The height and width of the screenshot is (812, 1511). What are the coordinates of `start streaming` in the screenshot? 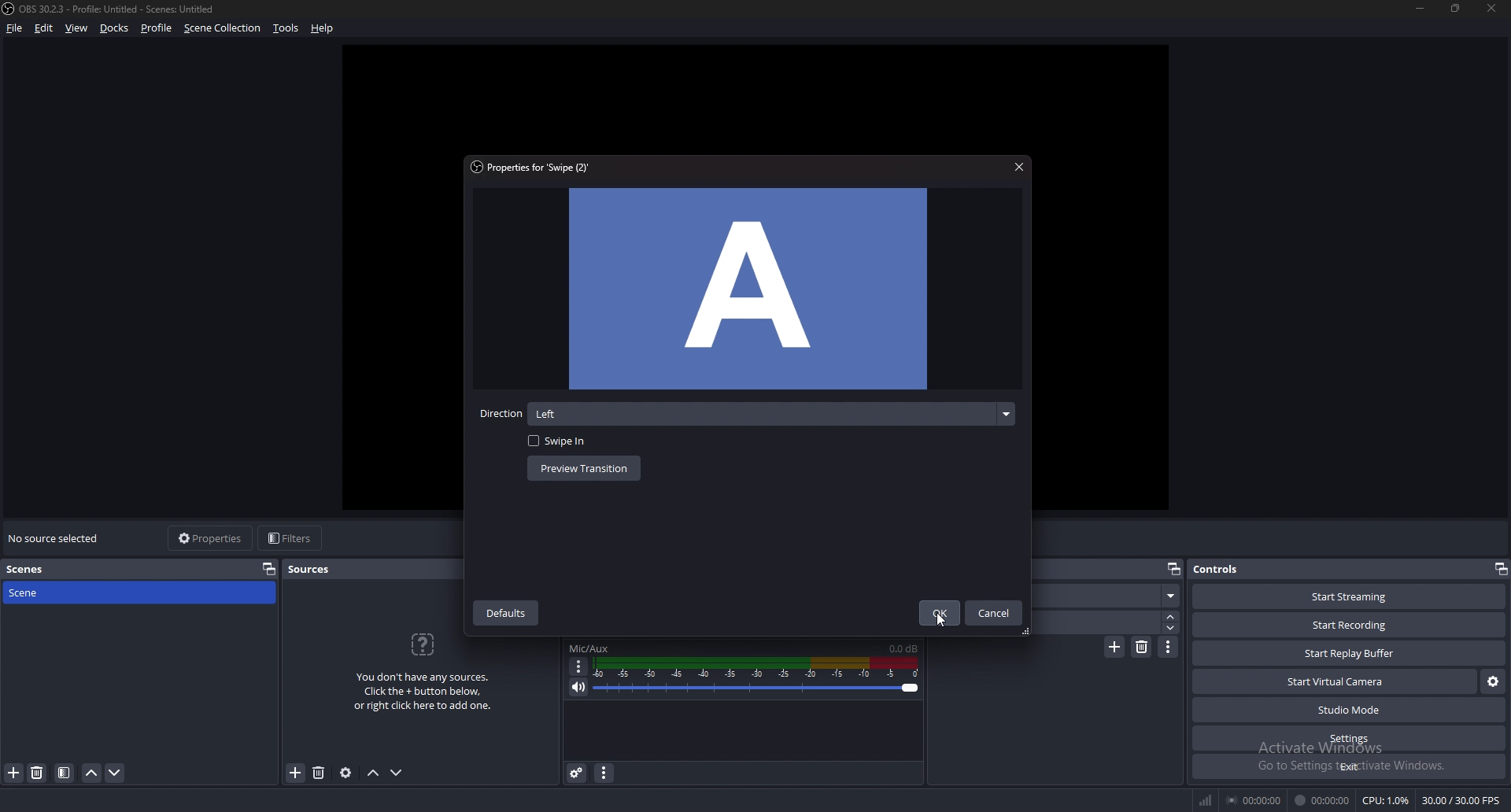 It's located at (1349, 597).